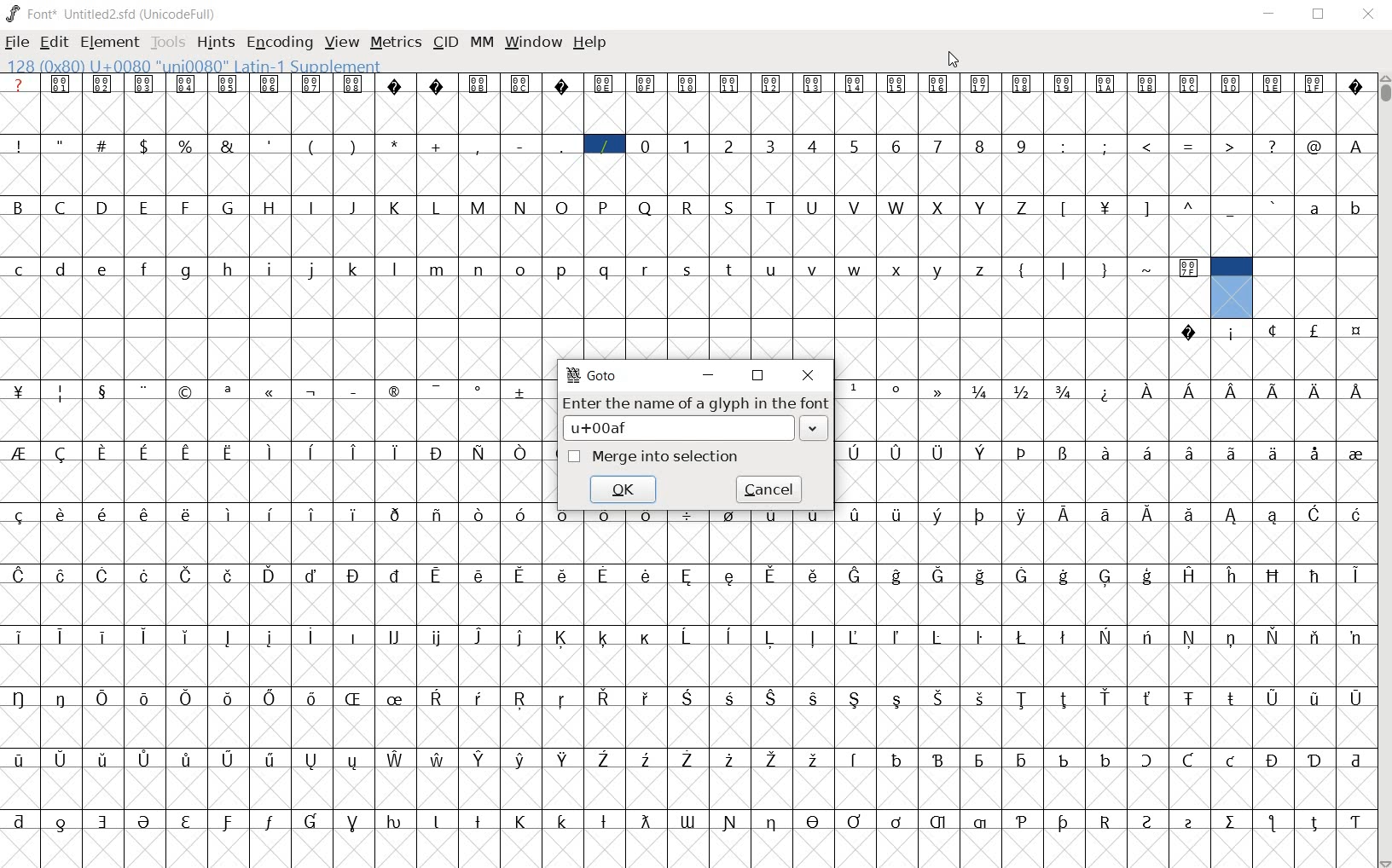 This screenshot has height=868, width=1392. What do you see at coordinates (938, 515) in the screenshot?
I see `Symbol` at bounding box center [938, 515].